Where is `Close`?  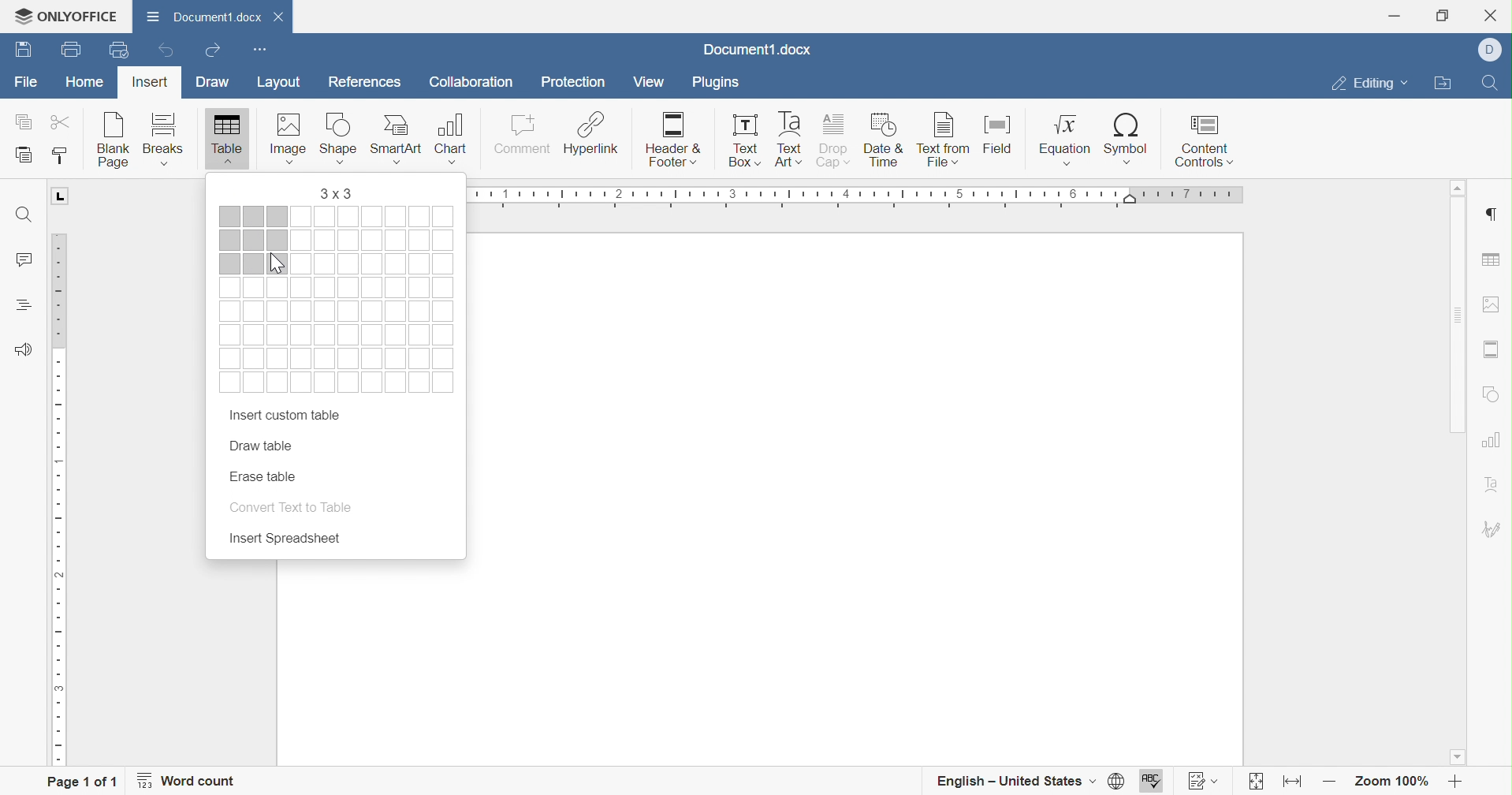
Close is located at coordinates (1496, 15).